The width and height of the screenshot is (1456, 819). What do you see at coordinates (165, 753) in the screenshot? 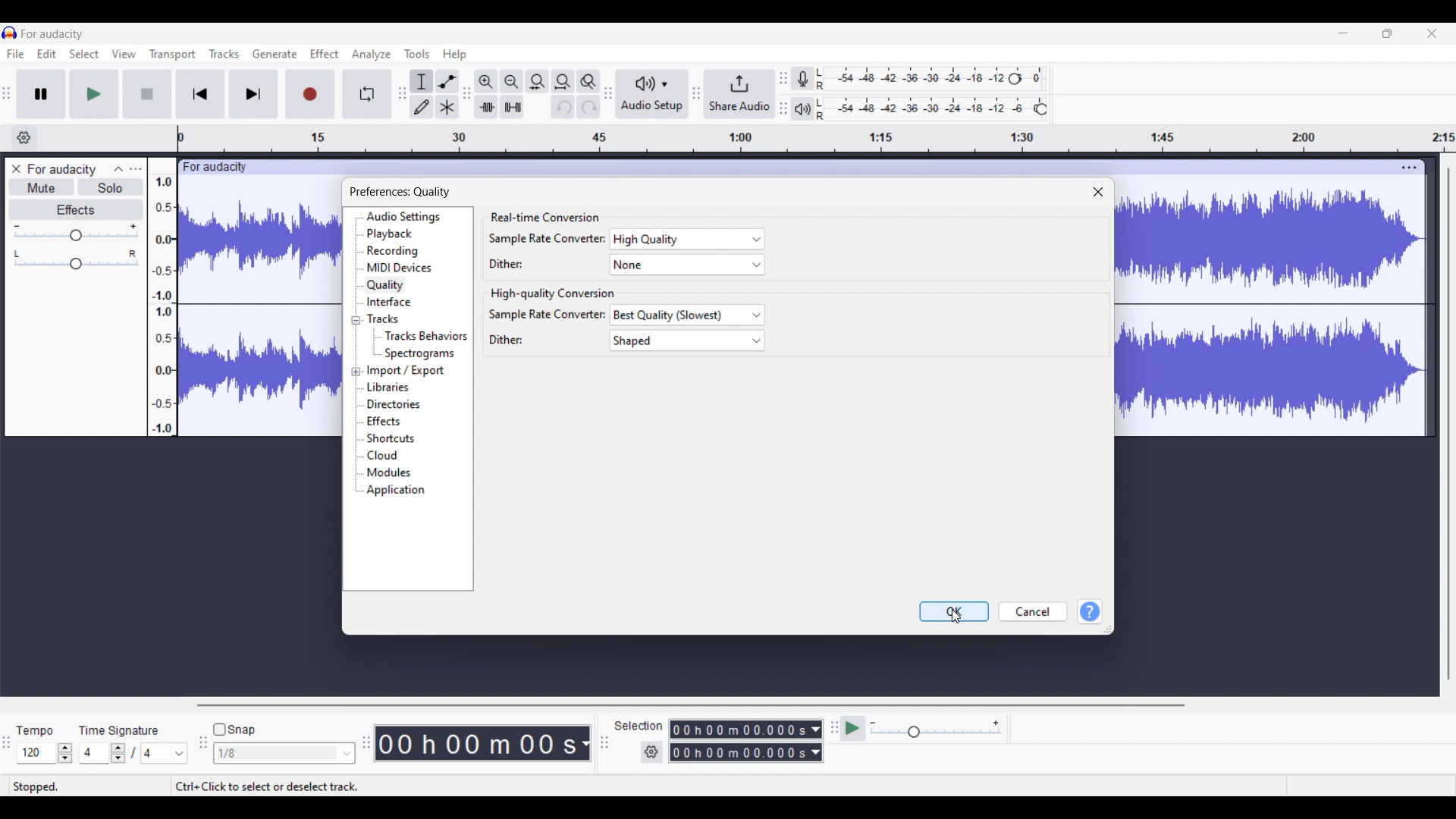
I see `Max time signature options` at bounding box center [165, 753].